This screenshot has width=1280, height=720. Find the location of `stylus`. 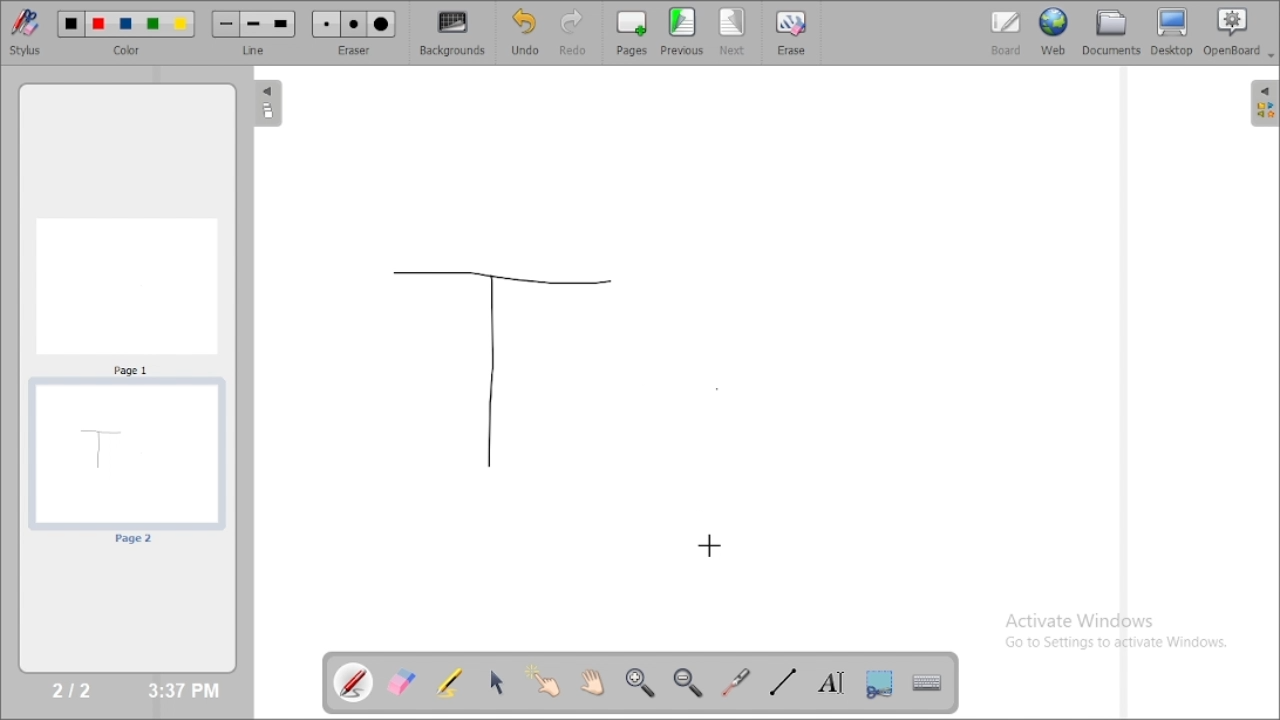

stylus is located at coordinates (25, 31).